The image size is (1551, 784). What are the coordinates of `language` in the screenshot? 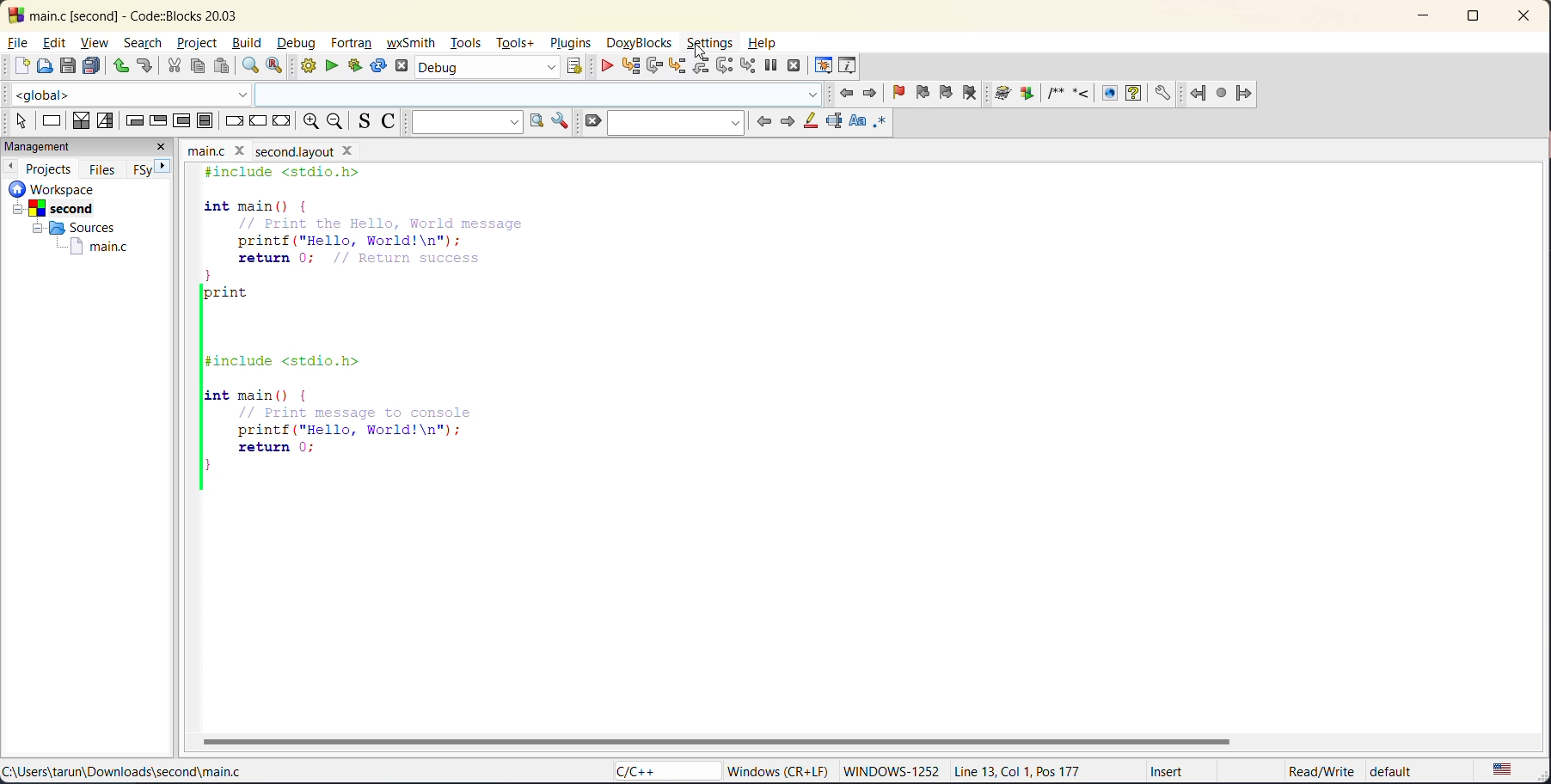 It's located at (658, 772).